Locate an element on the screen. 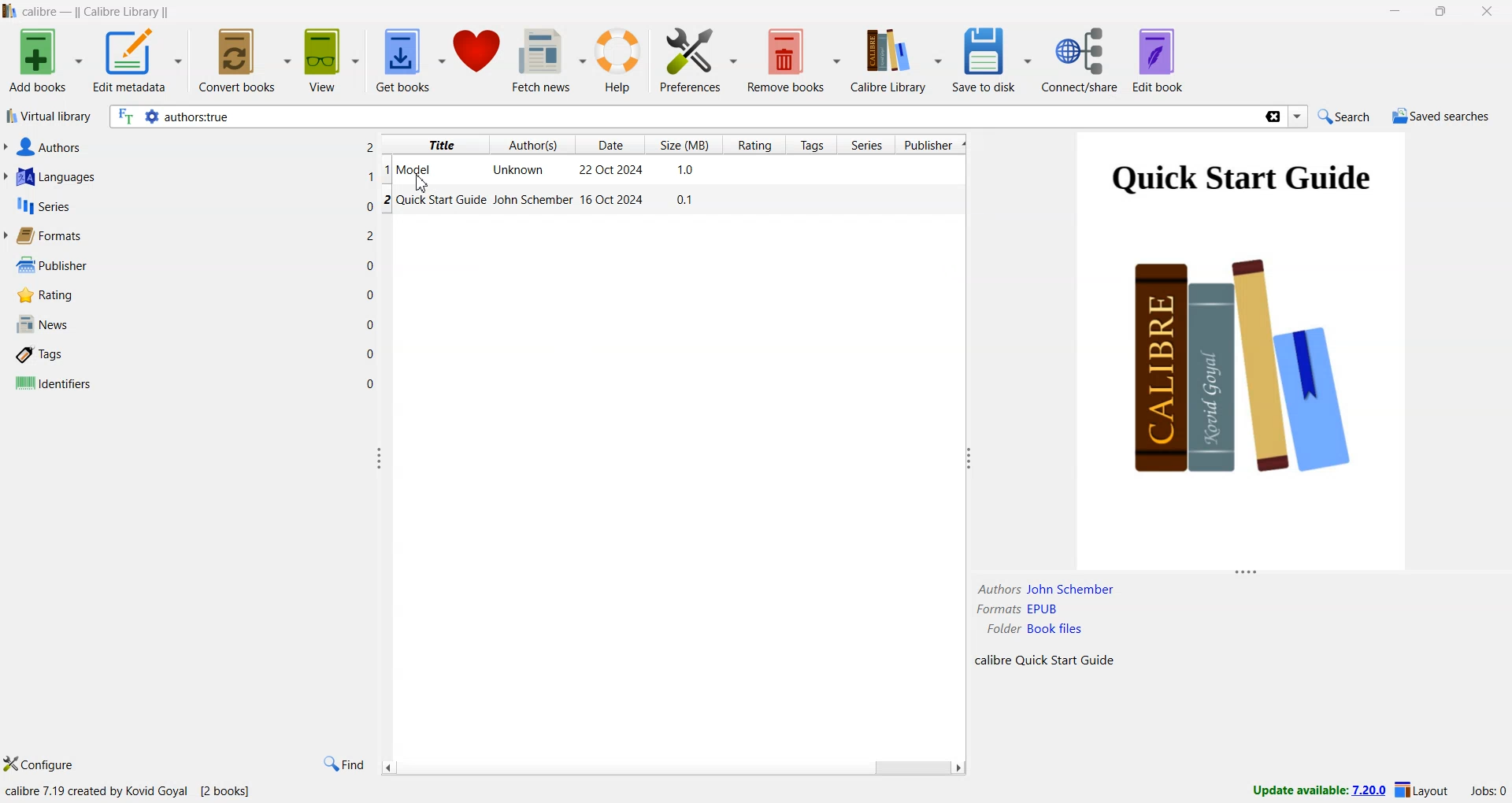 The image size is (1512, 803). customize width is located at coordinates (965, 458).